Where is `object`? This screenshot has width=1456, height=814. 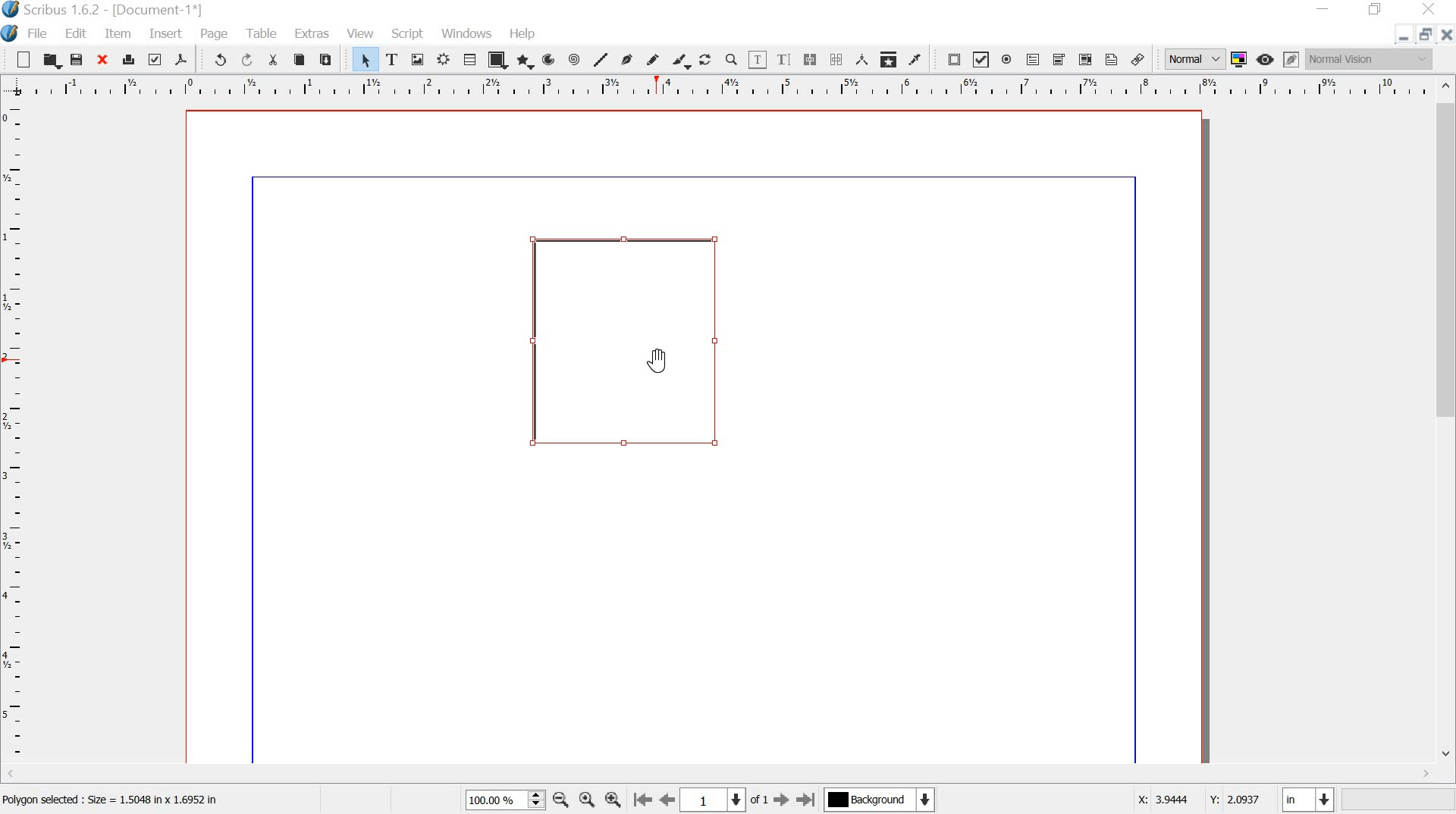 object is located at coordinates (626, 340).